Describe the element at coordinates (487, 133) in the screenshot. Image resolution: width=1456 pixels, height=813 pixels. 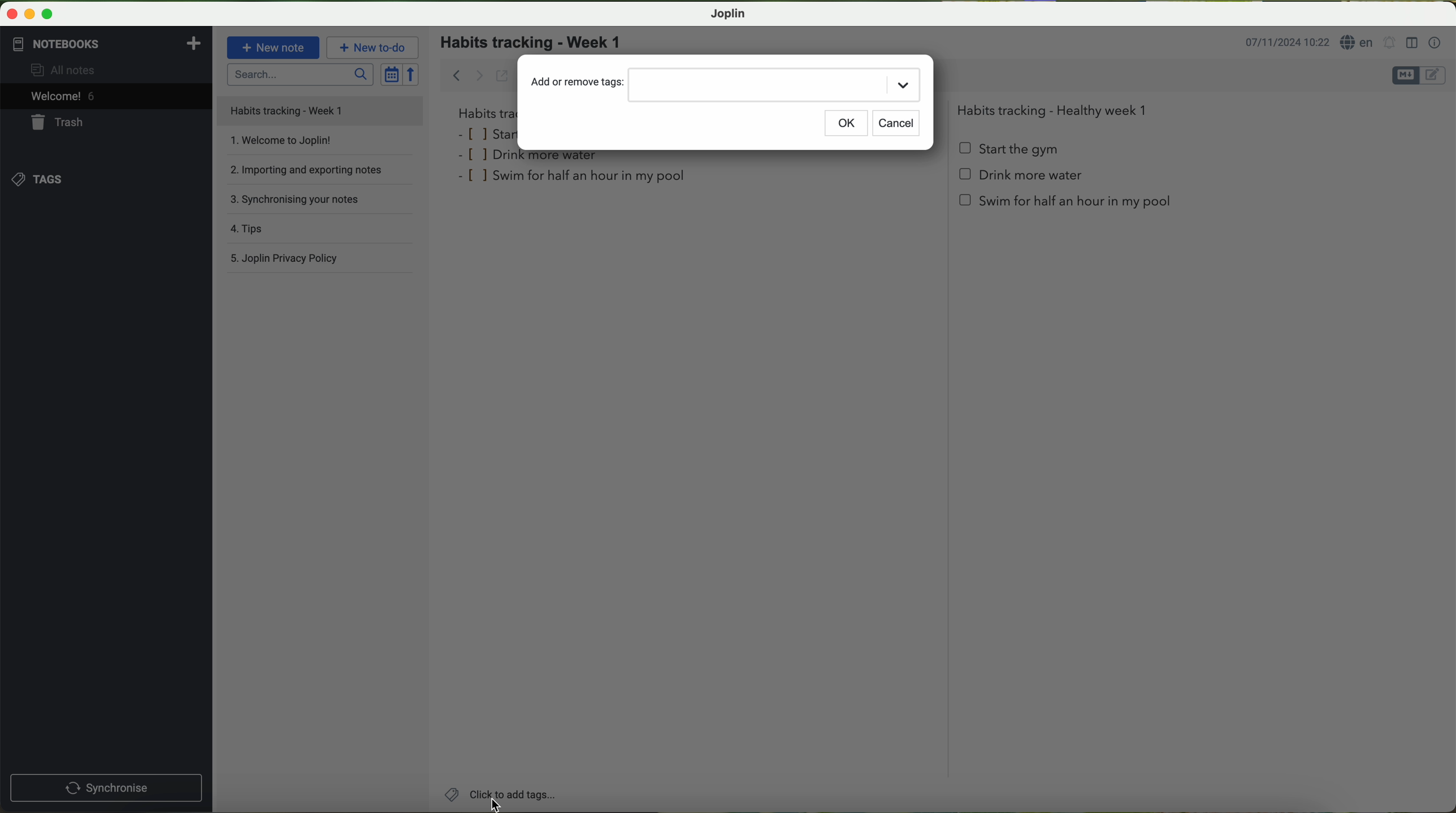
I see `star` at that location.